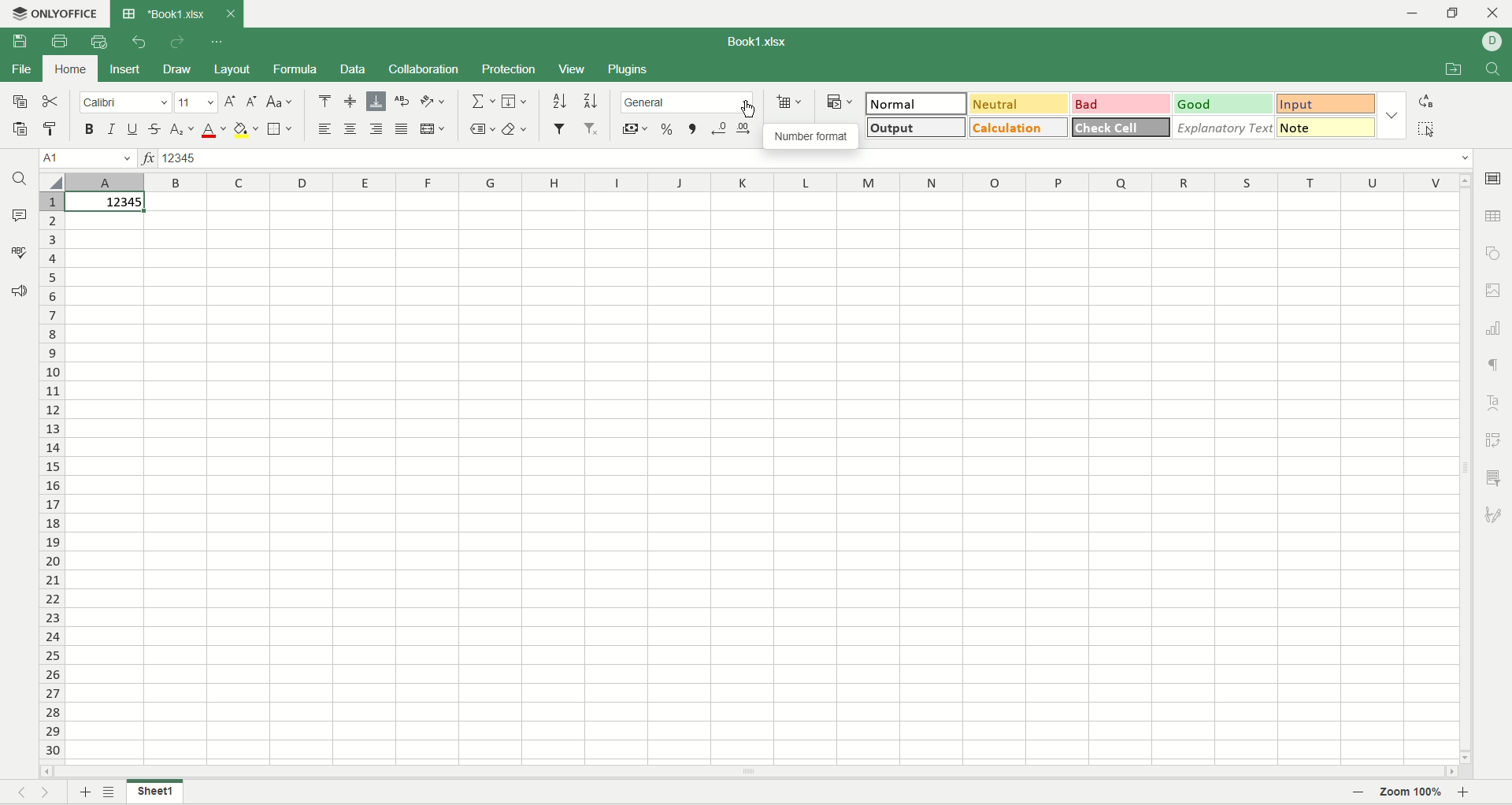 This screenshot has height=805, width=1512. I want to click on document tab, so click(163, 15).